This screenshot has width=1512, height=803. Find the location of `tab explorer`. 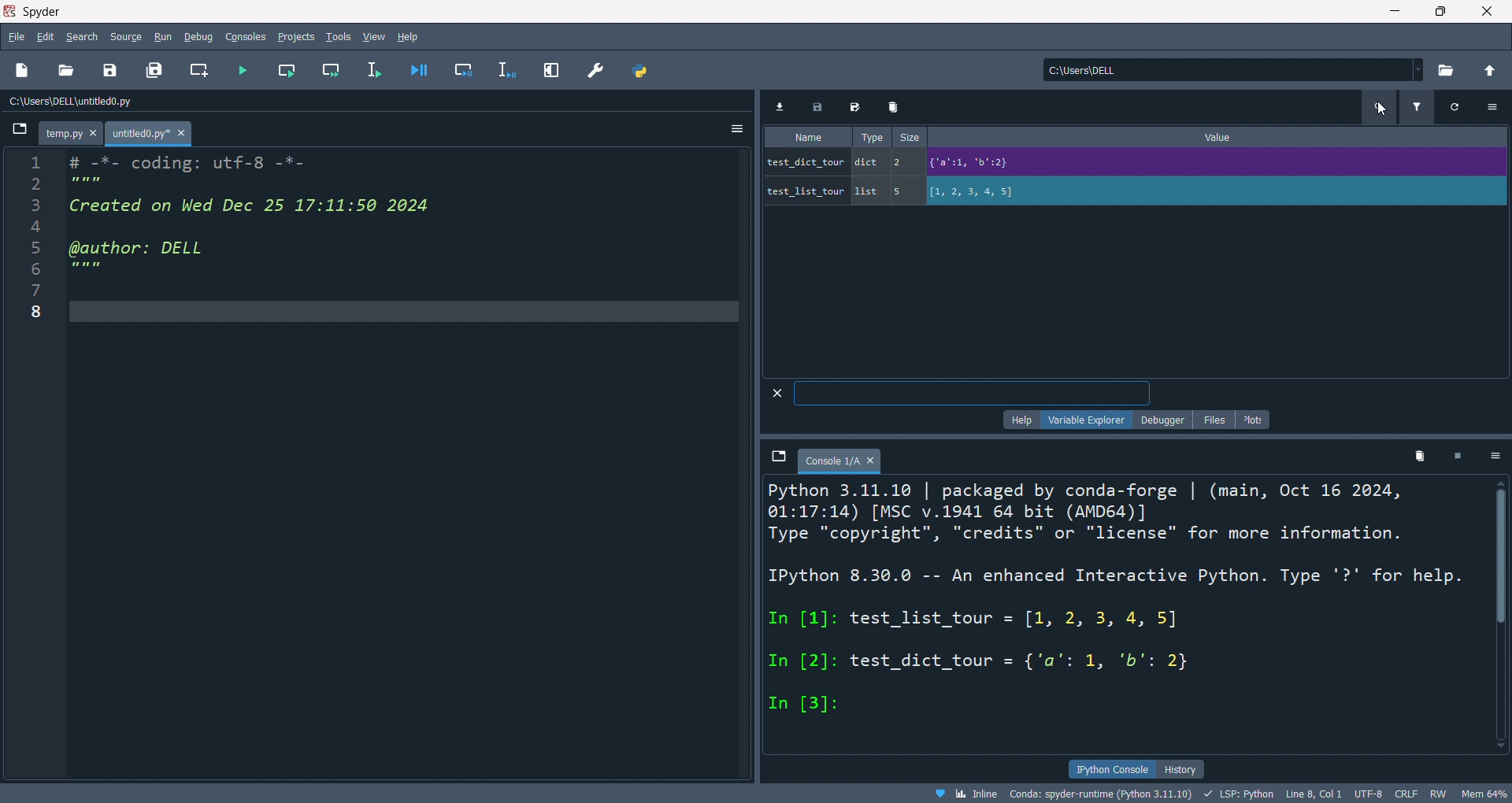

tab explorer is located at coordinates (778, 460).